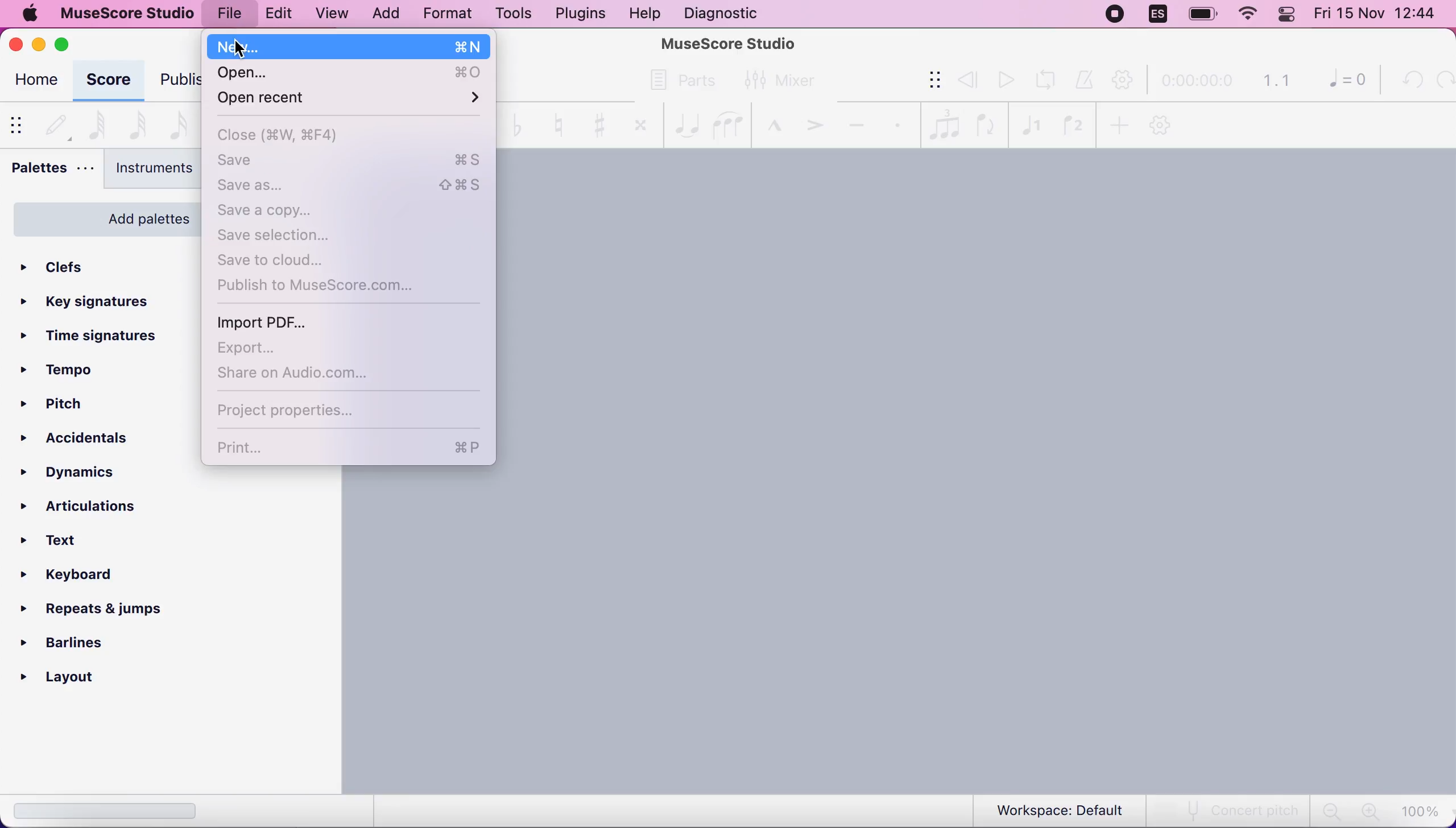 This screenshot has height=828, width=1456. Describe the element at coordinates (1409, 80) in the screenshot. I see `undo` at that location.